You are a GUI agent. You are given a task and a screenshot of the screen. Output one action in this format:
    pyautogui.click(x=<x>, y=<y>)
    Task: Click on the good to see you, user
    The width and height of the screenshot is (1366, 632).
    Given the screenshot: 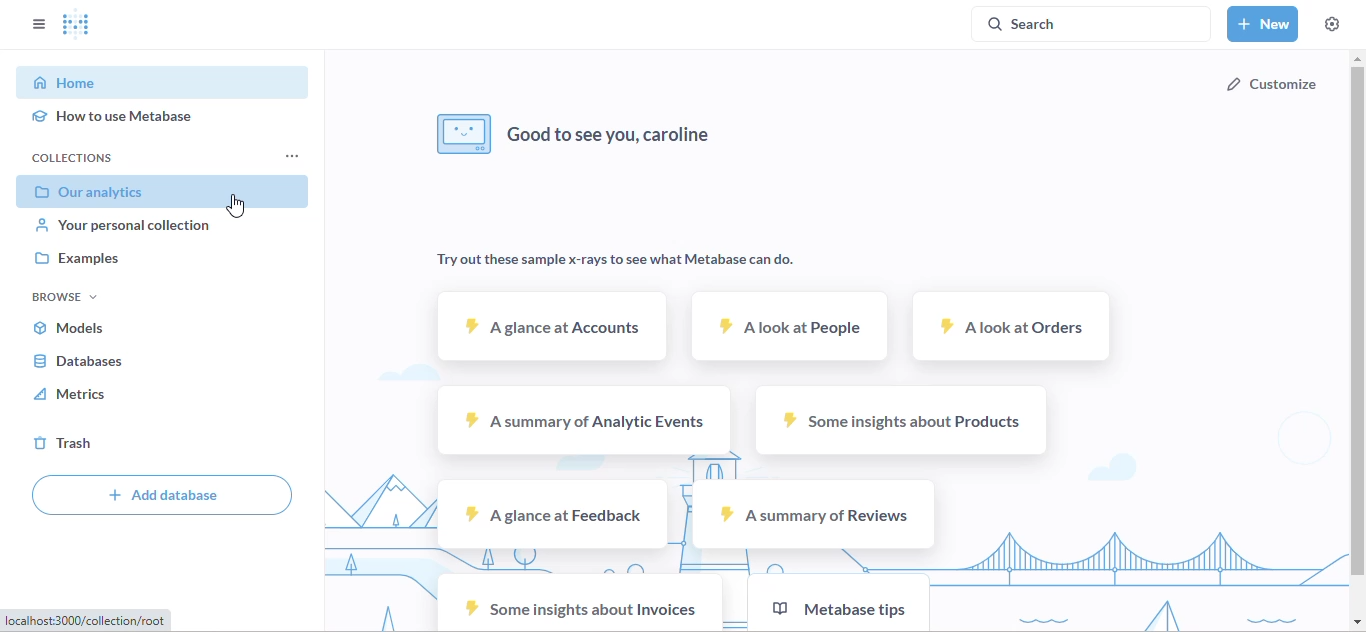 What is the action you would take?
    pyautogui.click(x=575, y=134)
    